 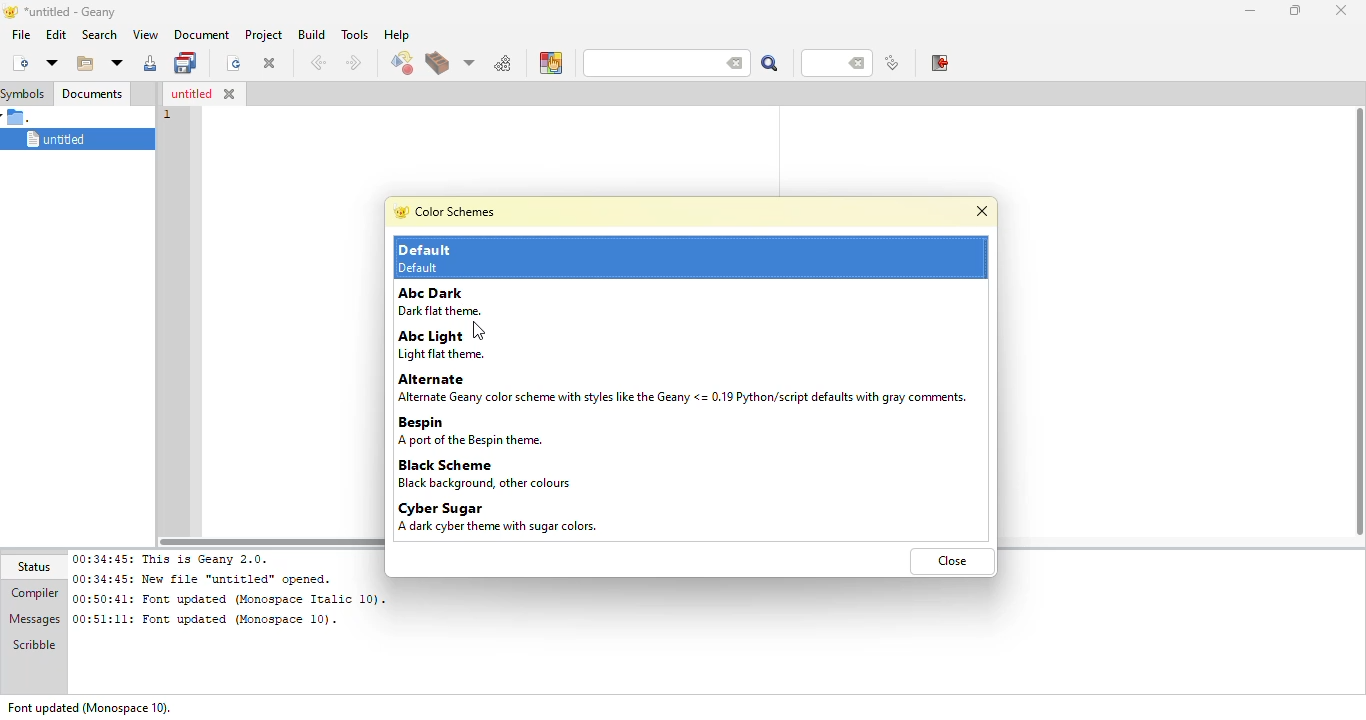 I want to click on view, so click(x=143, y=35).